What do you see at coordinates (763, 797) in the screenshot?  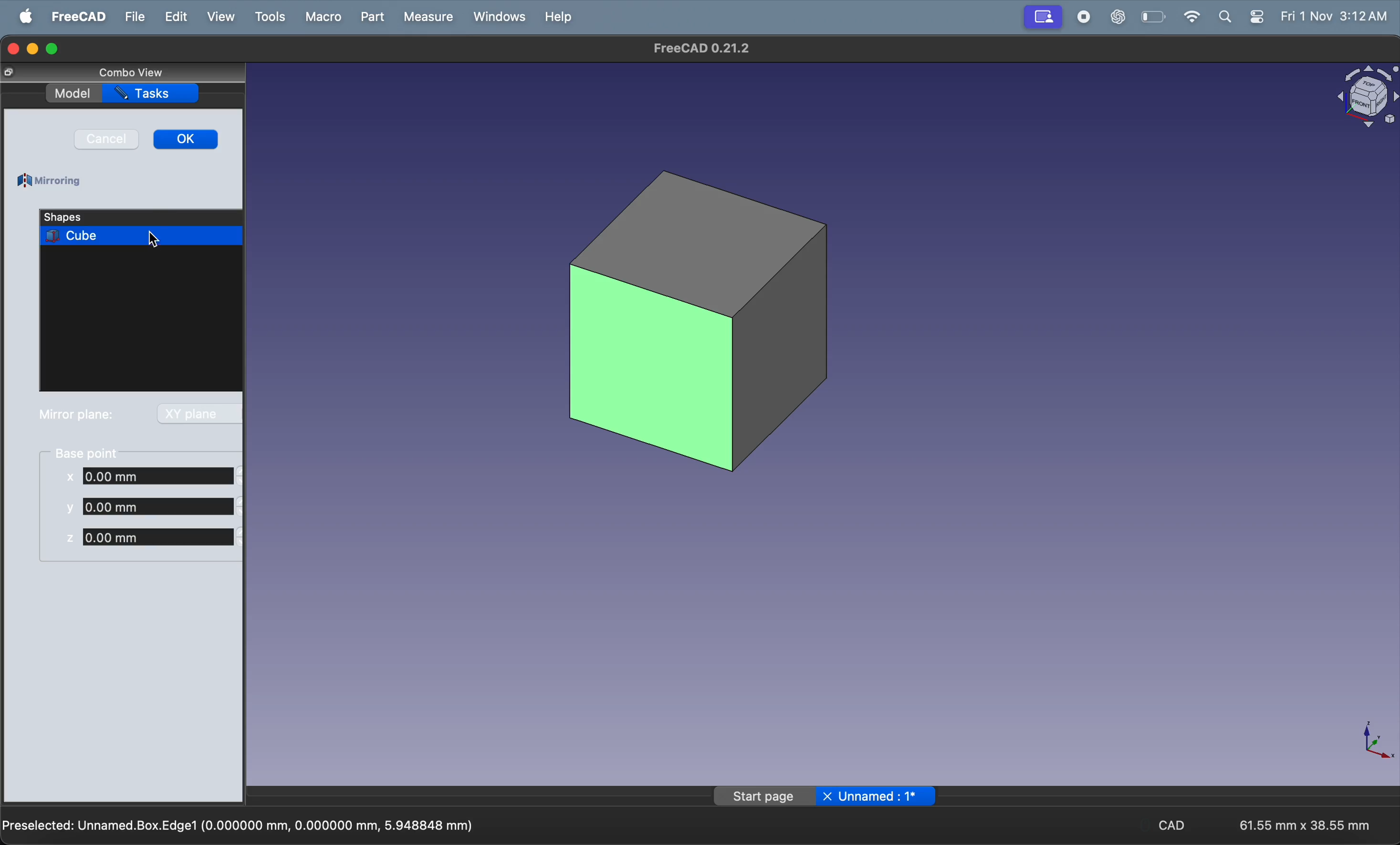 I see `start page` at bounding box center [763, 797].